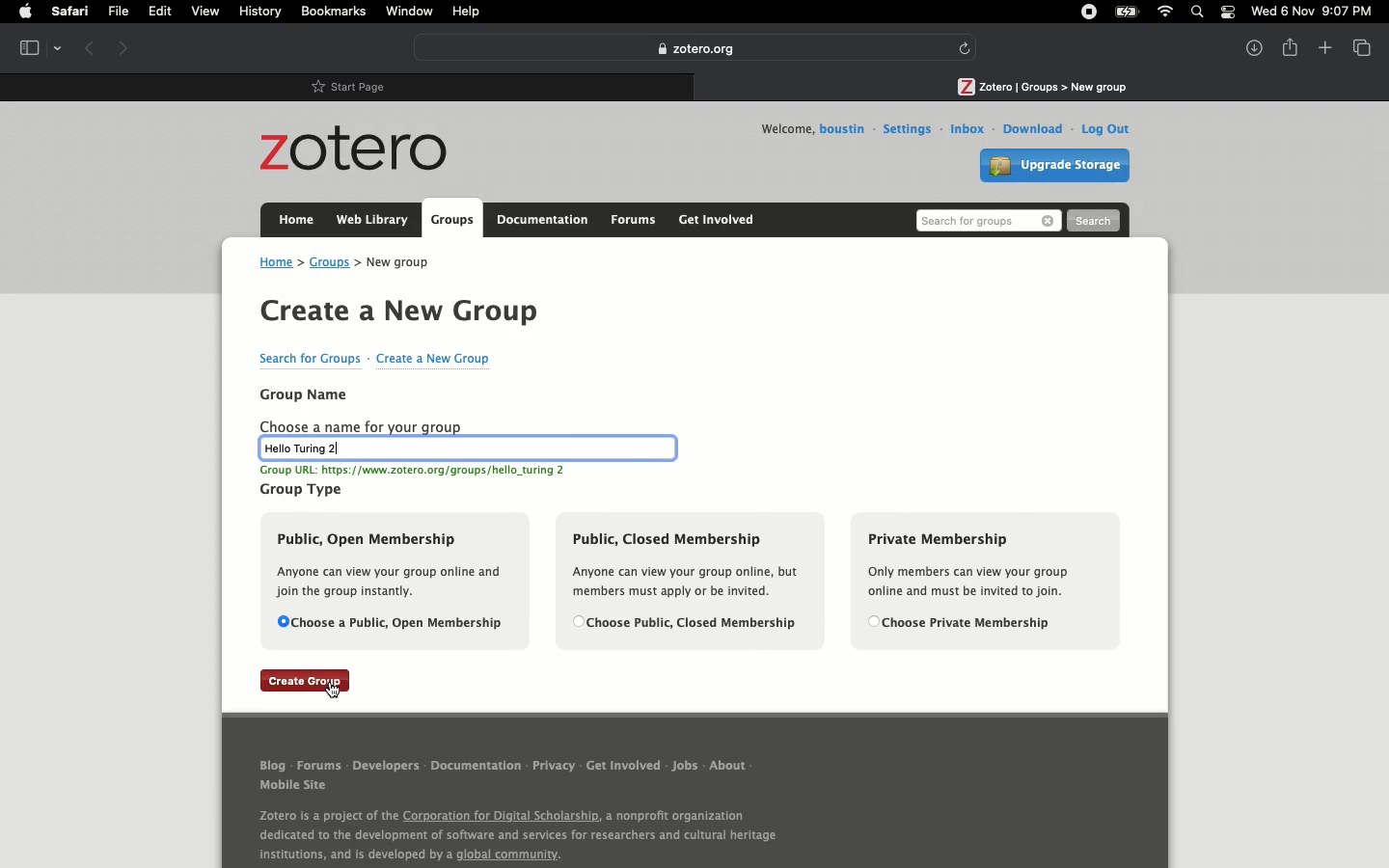 The width and height of the screenshot is (1389, 868). What do you see at coordinates (907, 129) in the screenshot?
I see `Settings` at bounding box center [907, 129].